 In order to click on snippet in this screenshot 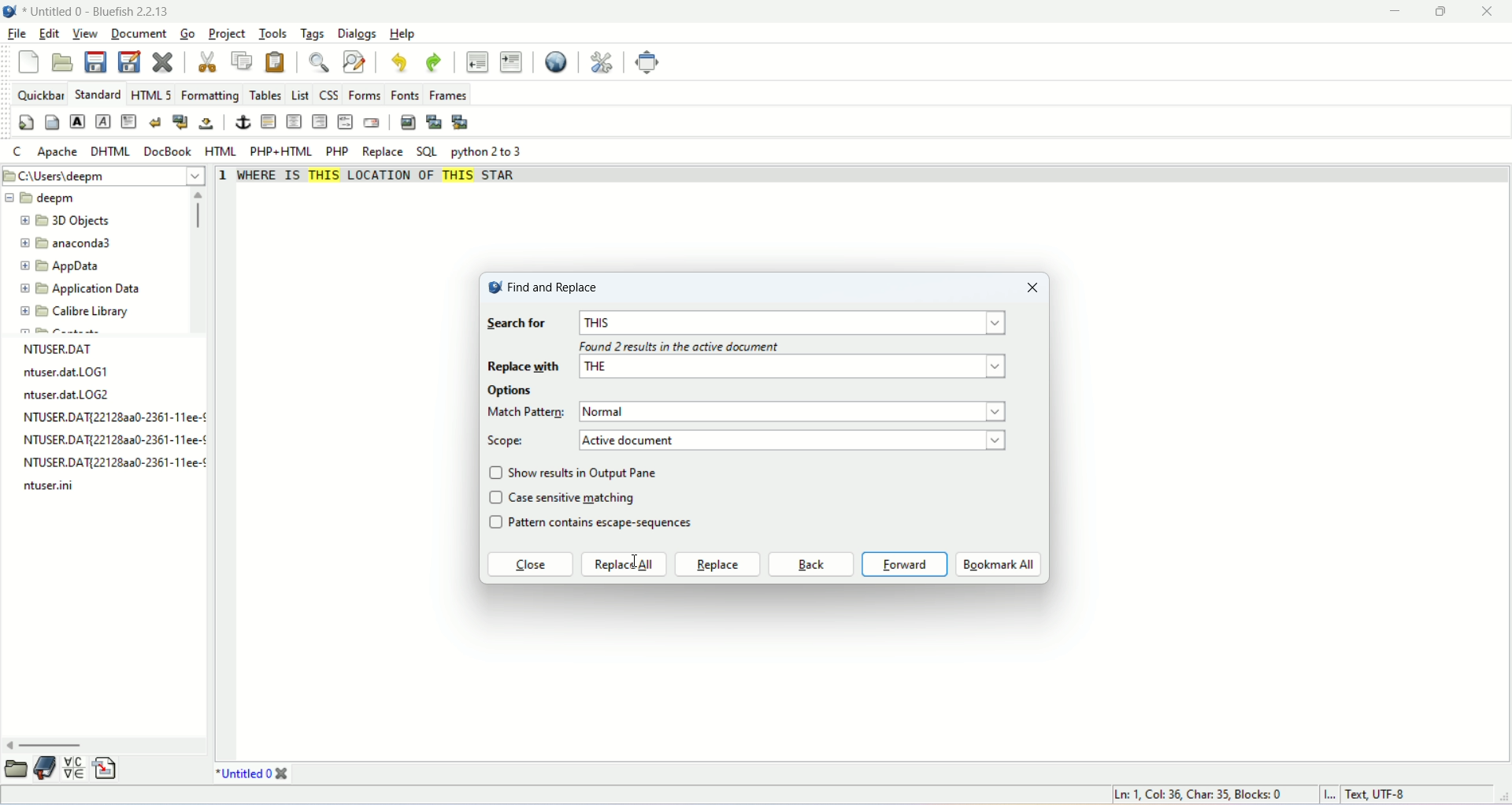, I will do `click(103, 769)`.